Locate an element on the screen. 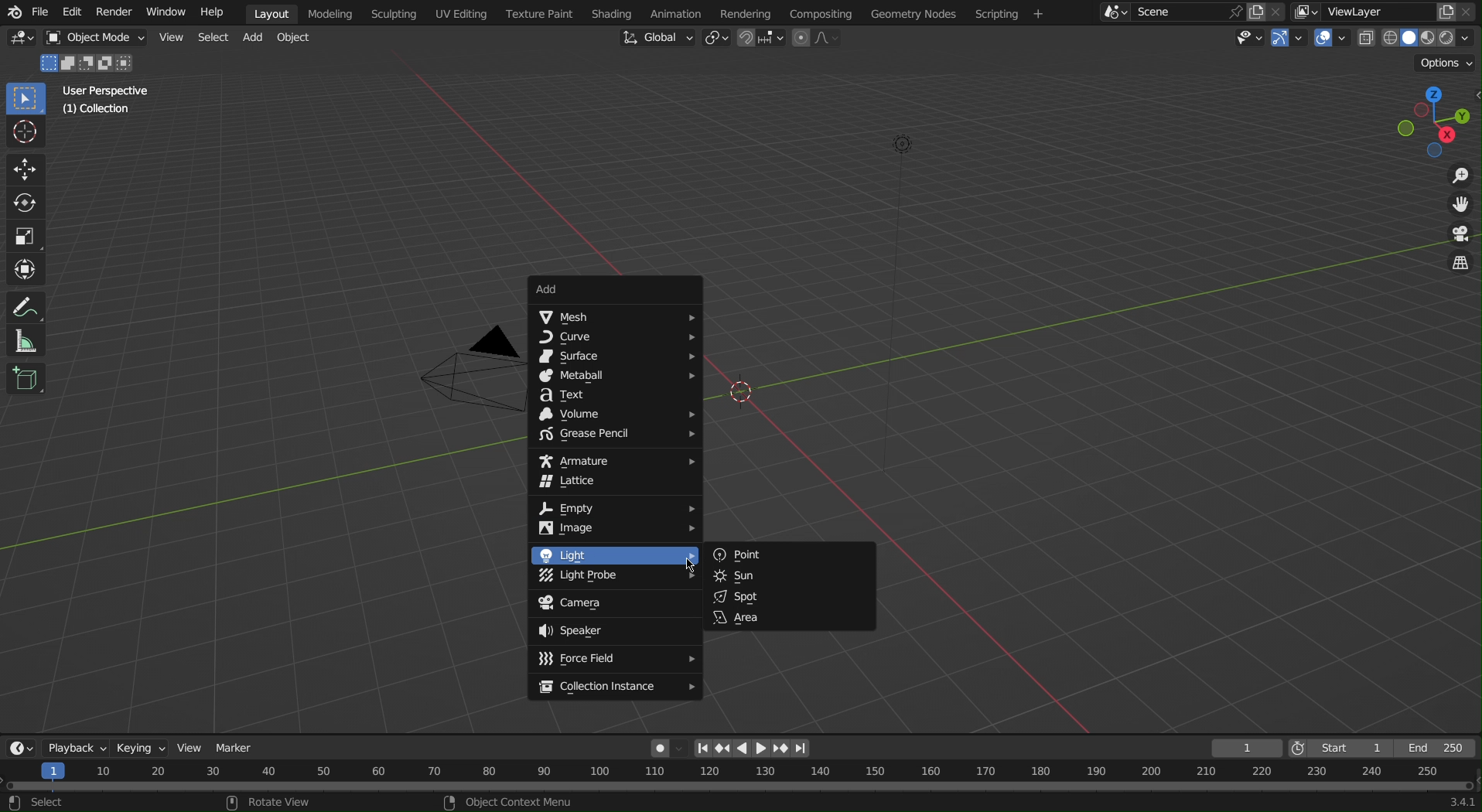 The height and width of the screenshot is (812, 1482). Global is located at coordinates (657, 37).